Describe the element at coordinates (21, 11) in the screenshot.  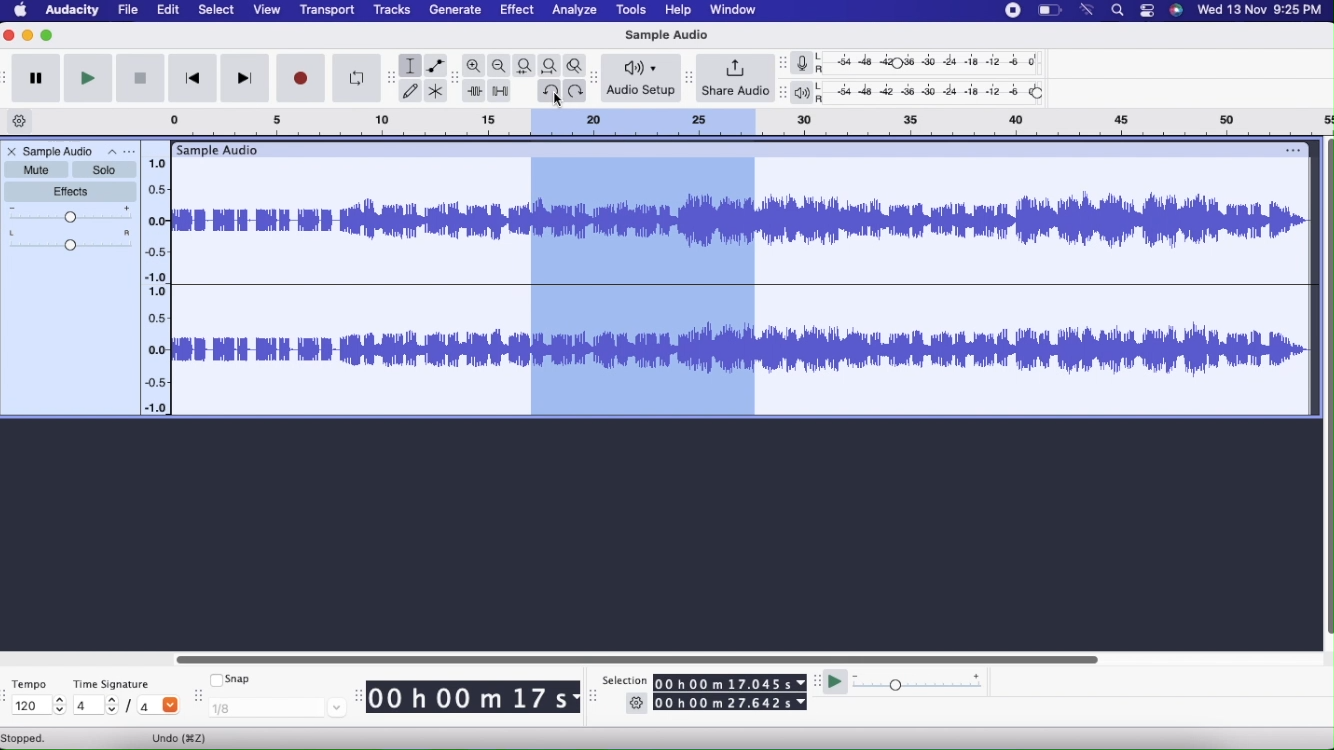
I see `Home` at that location.